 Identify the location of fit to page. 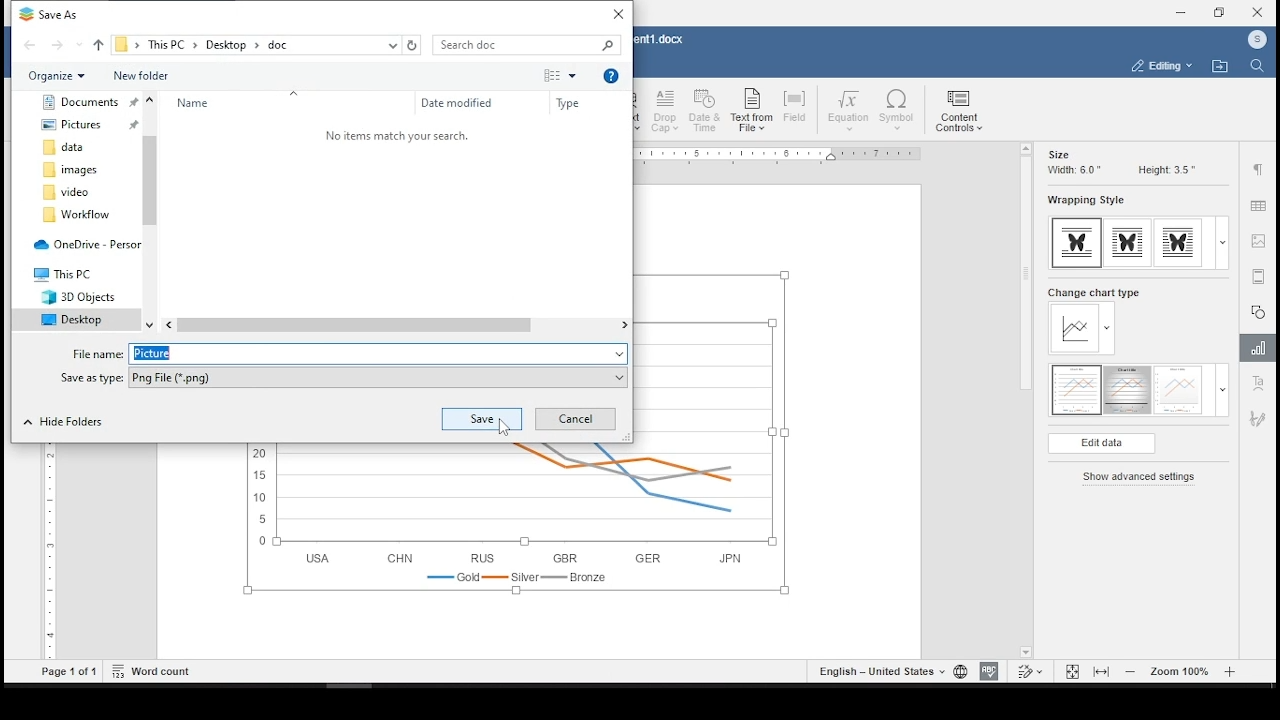
(1072, 671).